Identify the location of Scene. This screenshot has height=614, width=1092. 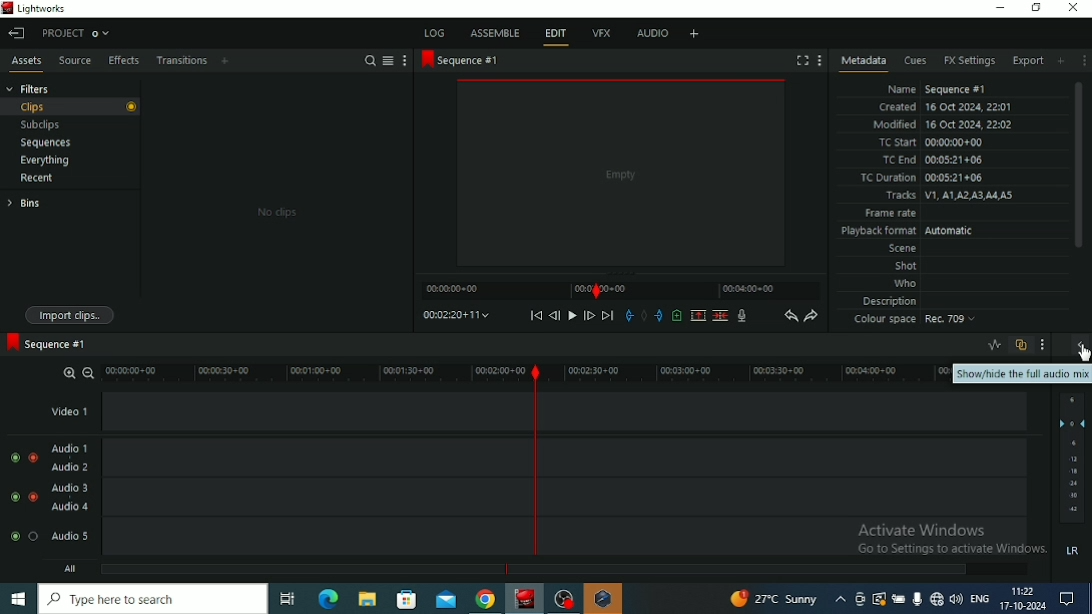
(900, 247).